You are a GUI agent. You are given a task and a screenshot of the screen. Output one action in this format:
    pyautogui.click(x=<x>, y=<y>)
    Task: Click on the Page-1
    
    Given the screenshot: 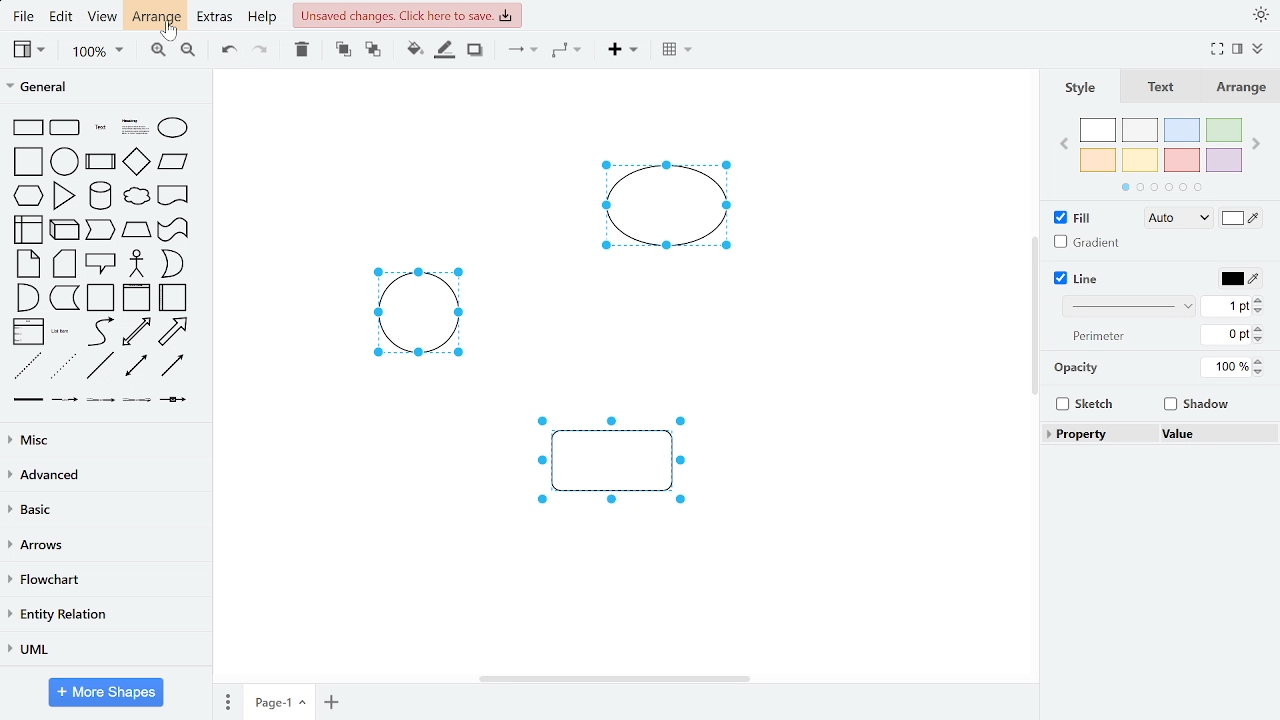 What is the action you would take?
    pyautogui.click(x=279, y=701)
    